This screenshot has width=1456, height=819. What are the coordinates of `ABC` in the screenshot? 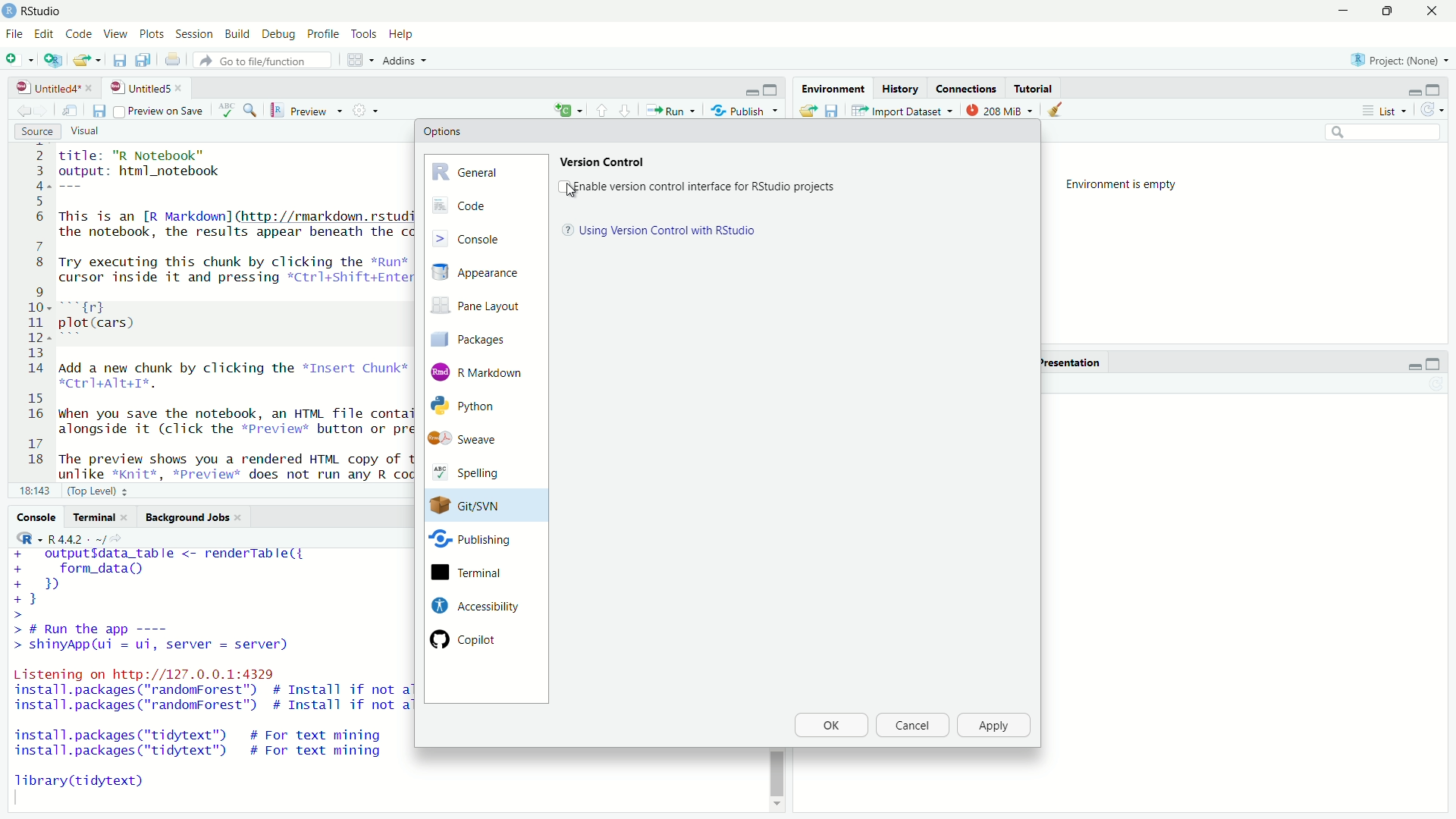 It's located at (237, 110).